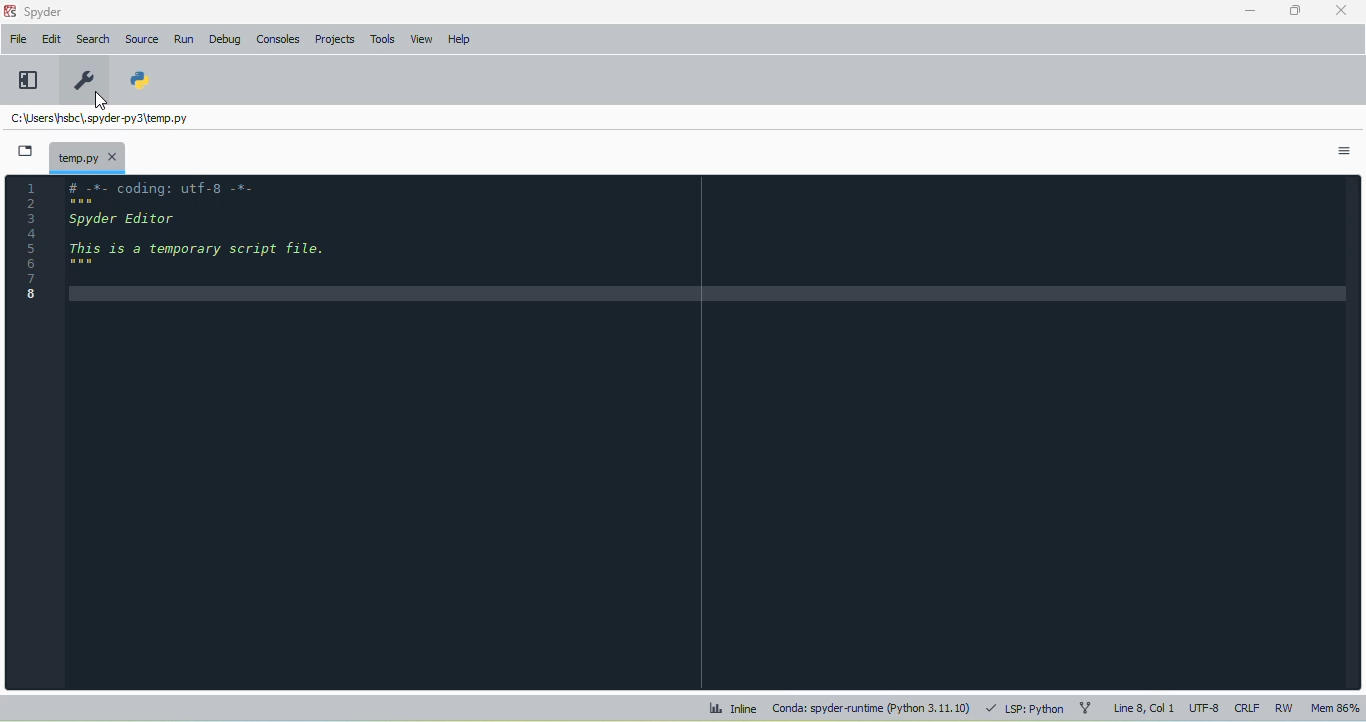  What do you see at coordinates (225, 39) in the screenshot?
I see `debug` at bounding box center [225, 39].